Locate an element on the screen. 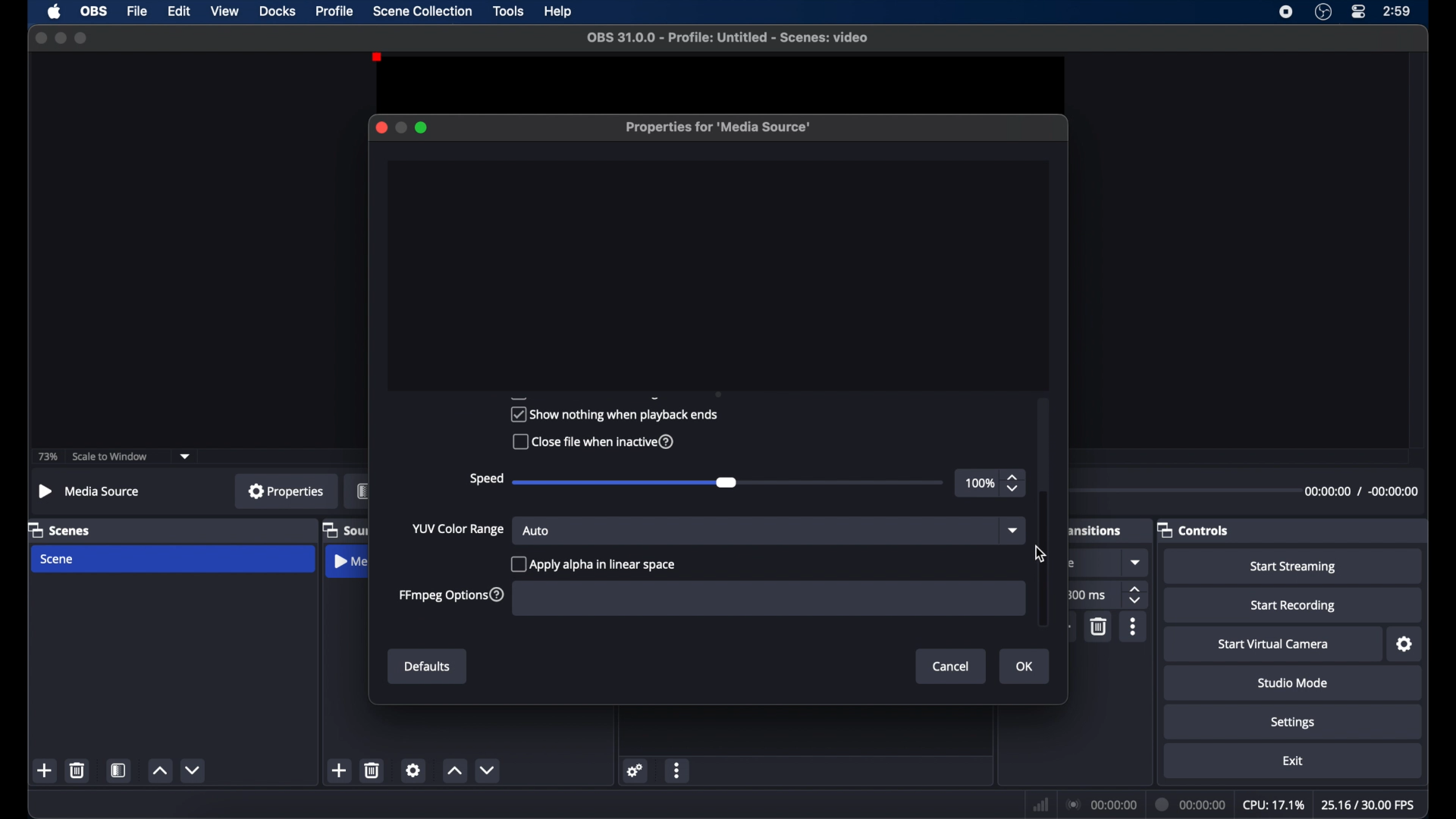 This screenshot has width=1456, height=819. delete is located at coordinates (1100, 627).